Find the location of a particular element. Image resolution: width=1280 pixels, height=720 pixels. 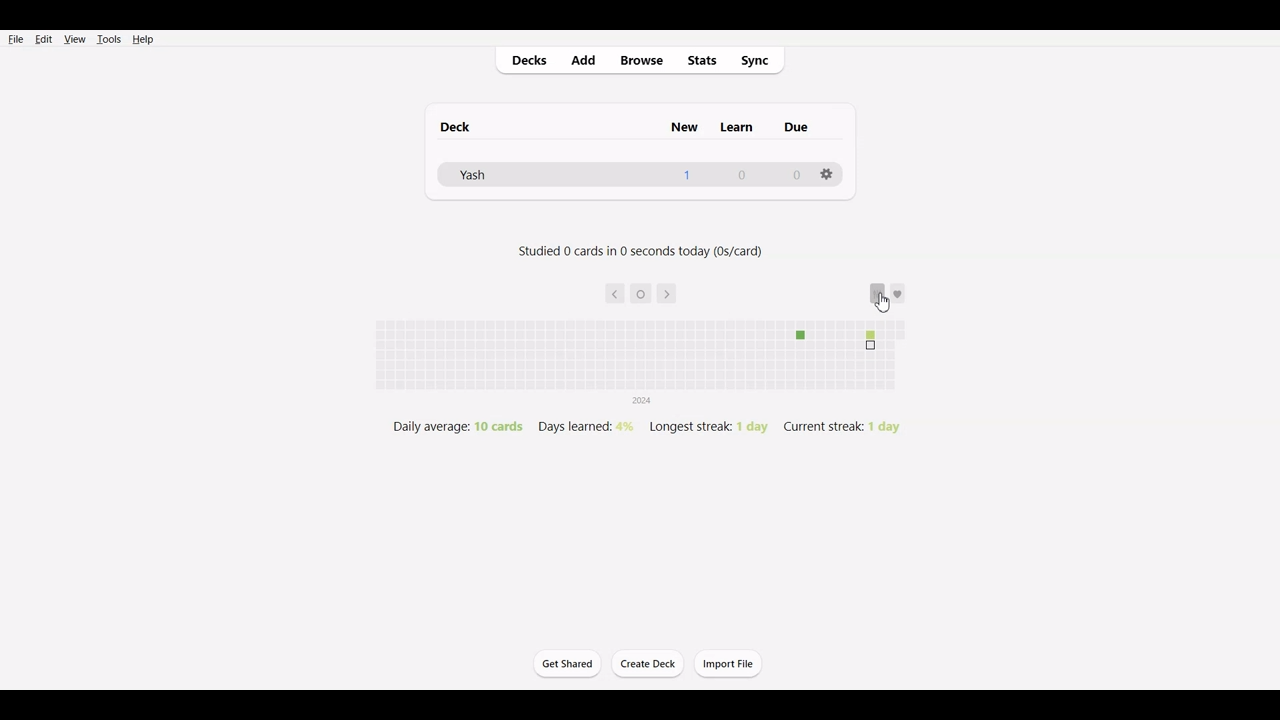

Studied 0 cards in 0 seconds today (0s/card) is located at coordinates (638, 249).